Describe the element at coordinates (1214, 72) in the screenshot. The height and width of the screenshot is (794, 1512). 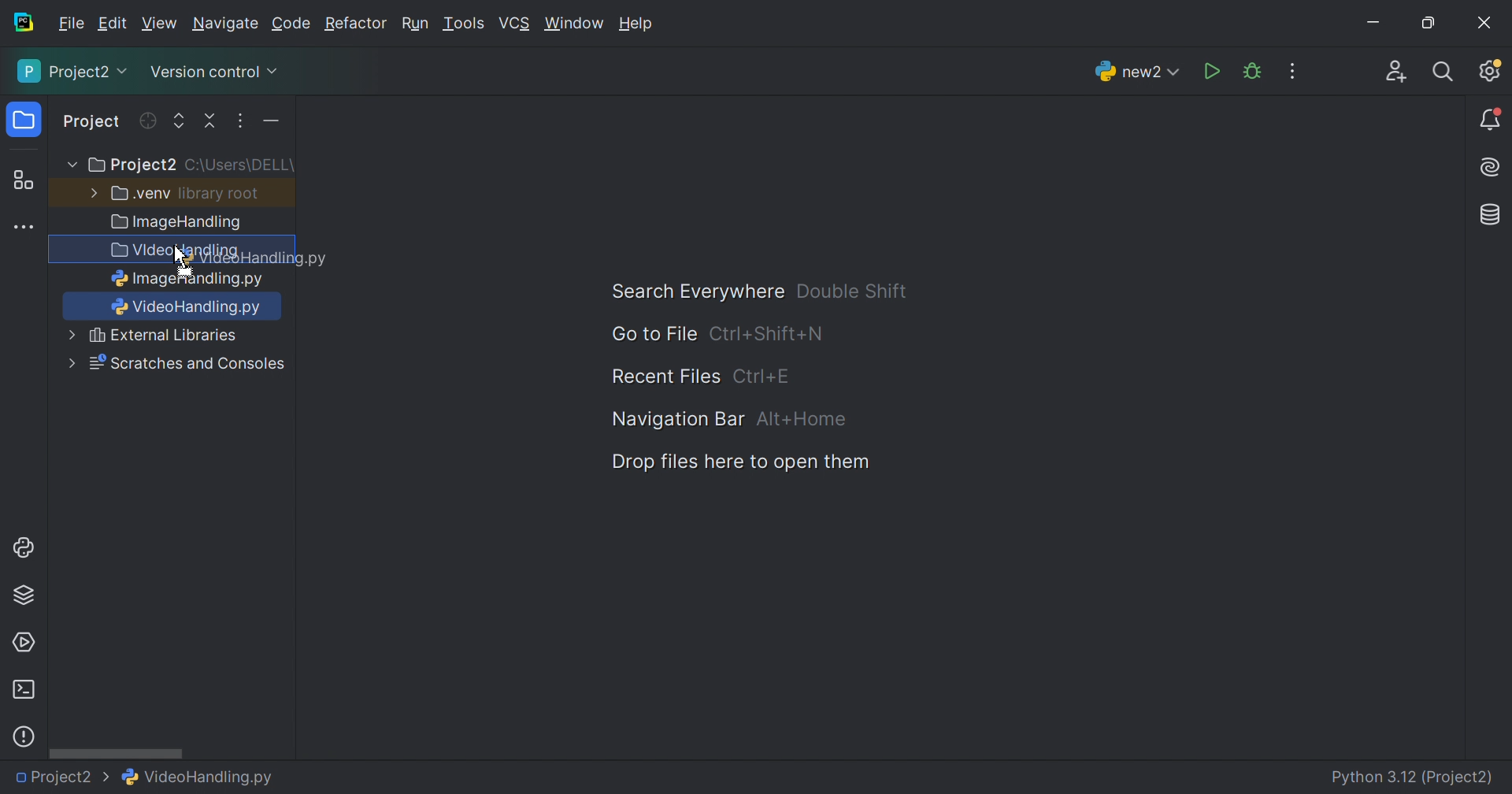
I see `Run` at that location.